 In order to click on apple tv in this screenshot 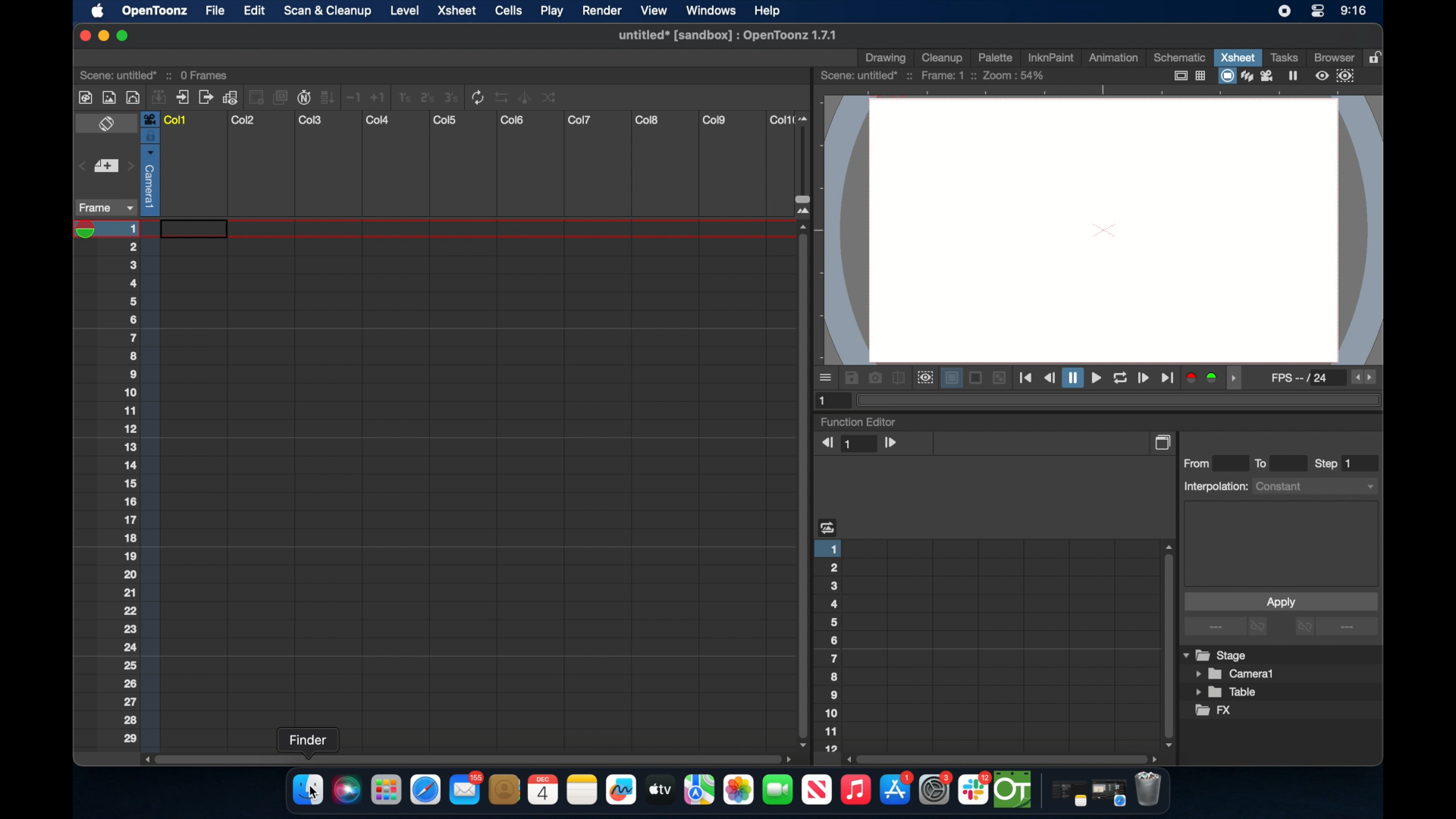, I will do `click(659, 789)`.